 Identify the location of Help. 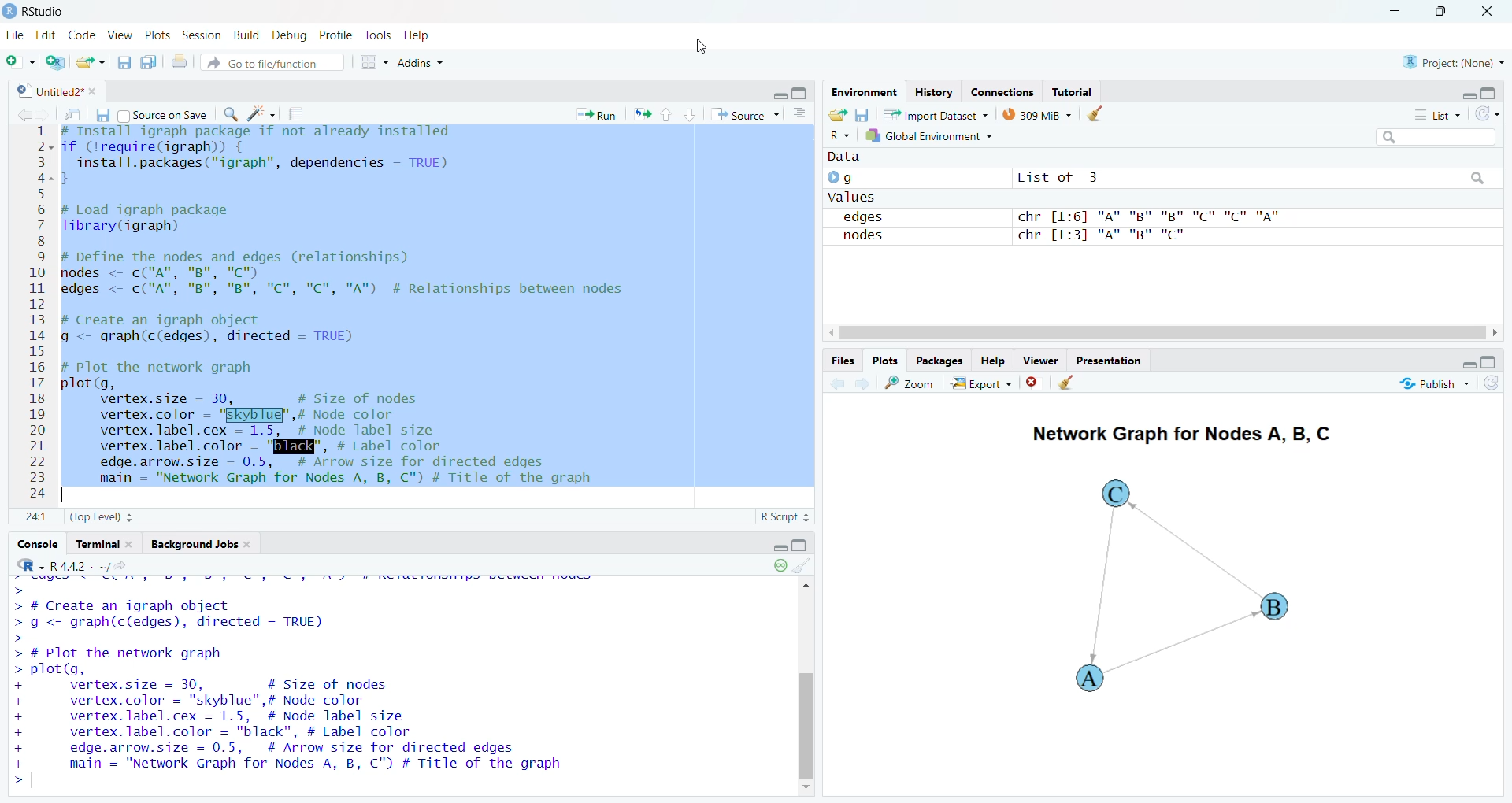
(424, 37).